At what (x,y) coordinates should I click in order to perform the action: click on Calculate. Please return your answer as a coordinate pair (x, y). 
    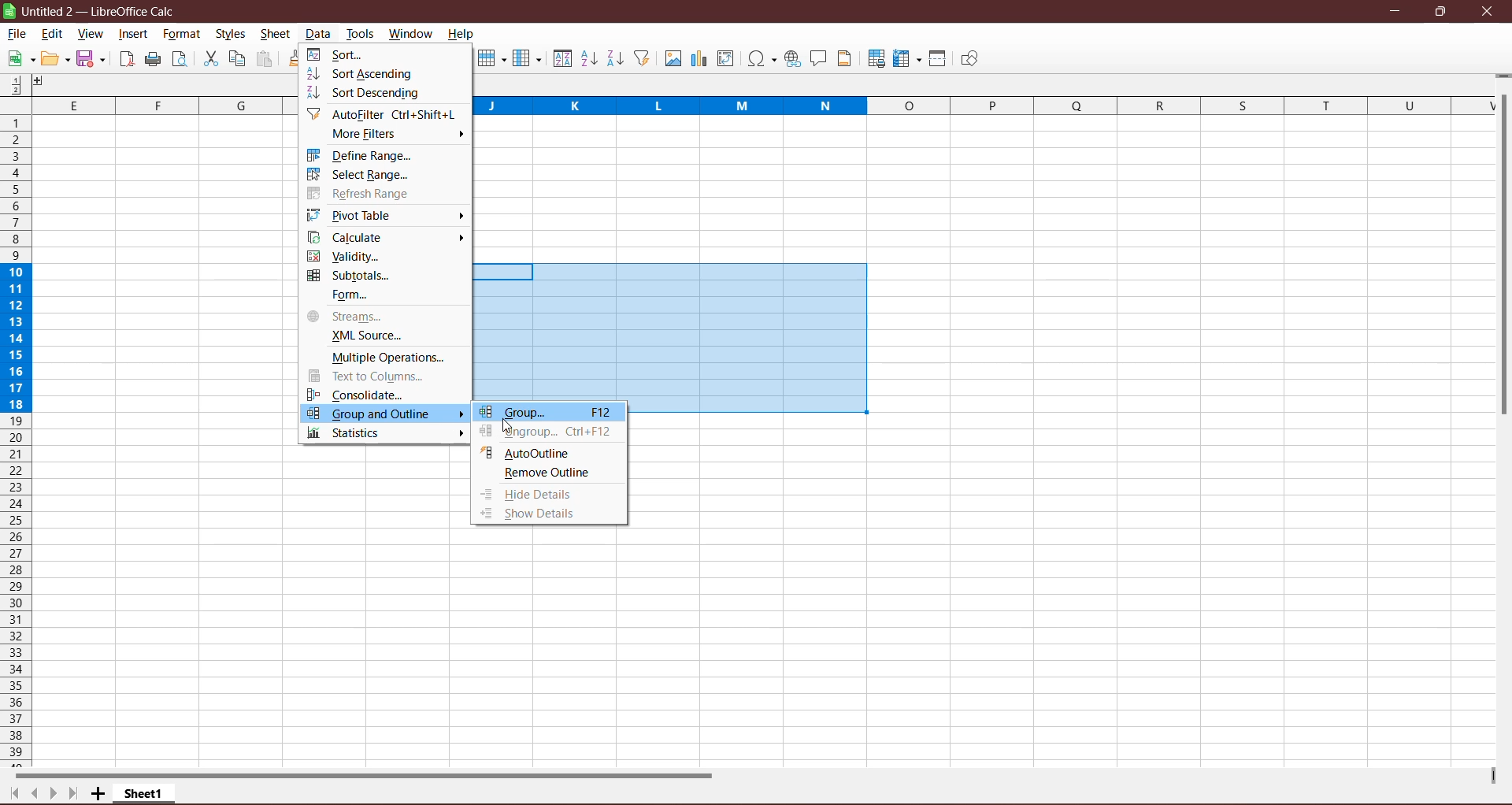
    Looking at the image, I should click on (350, 237).